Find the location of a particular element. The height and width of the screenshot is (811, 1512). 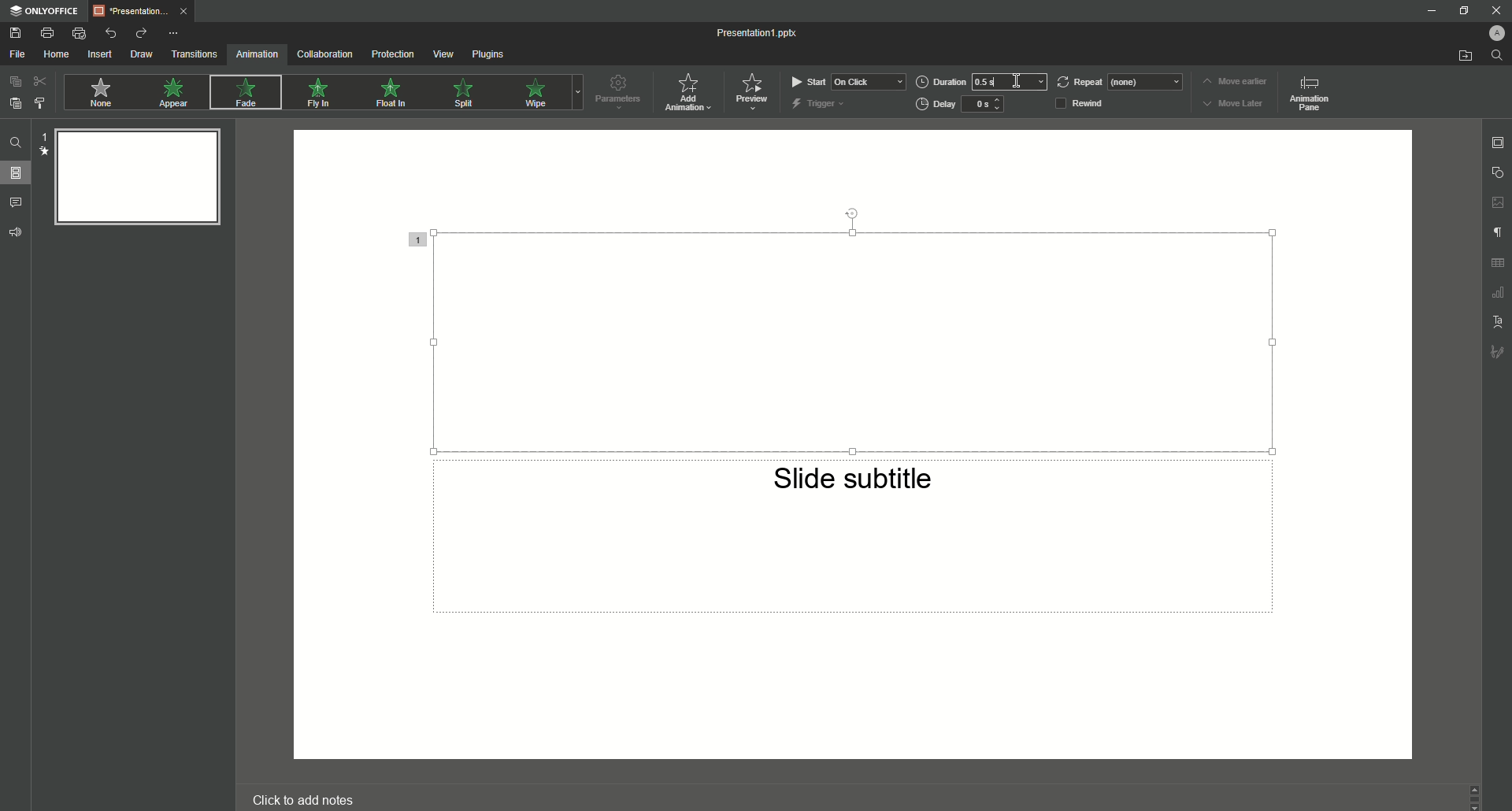

Slide Preview is located at coordinates (134, 176).